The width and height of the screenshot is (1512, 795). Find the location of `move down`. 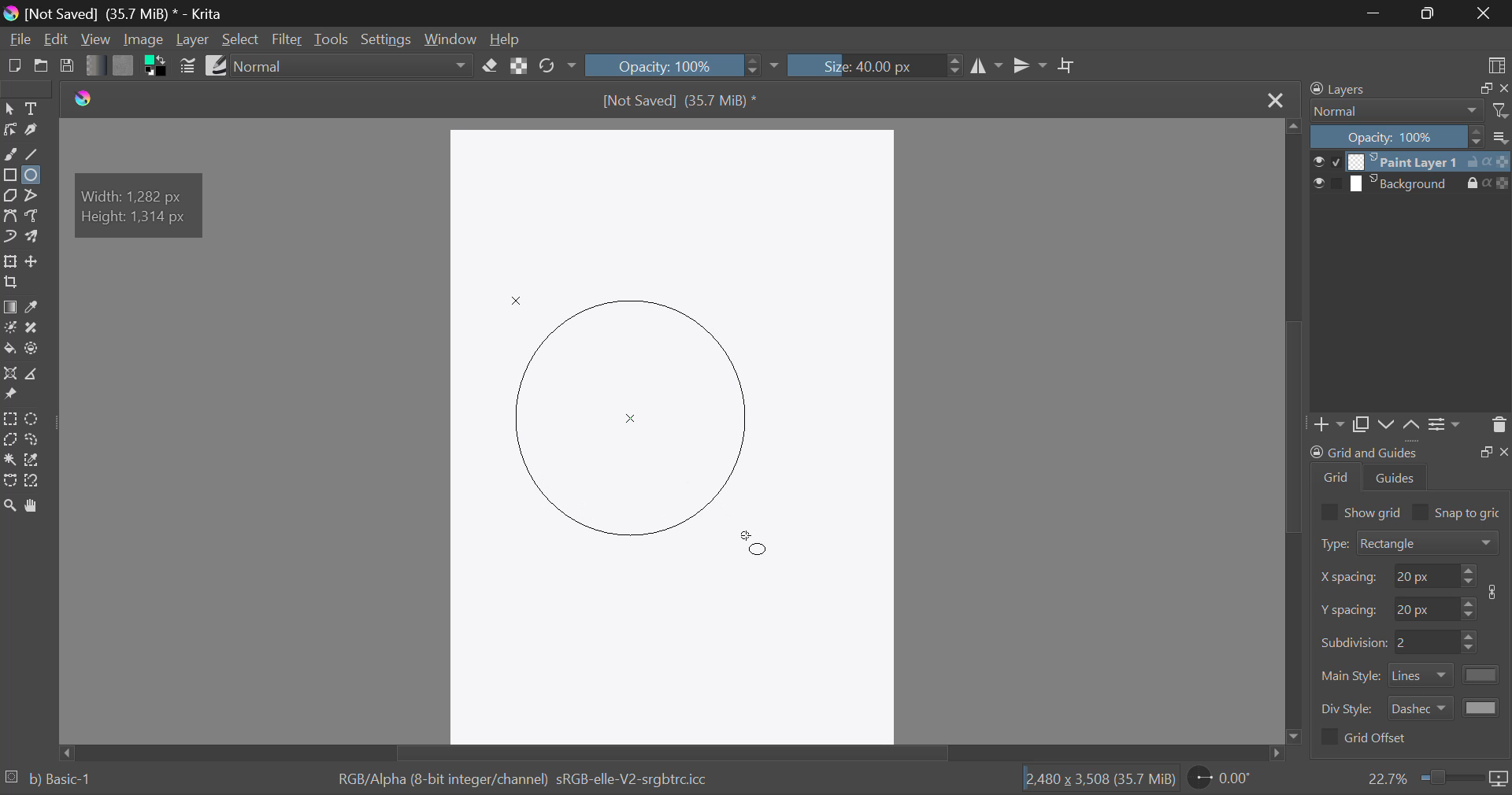

move down is located at coordinates (1297, 734).